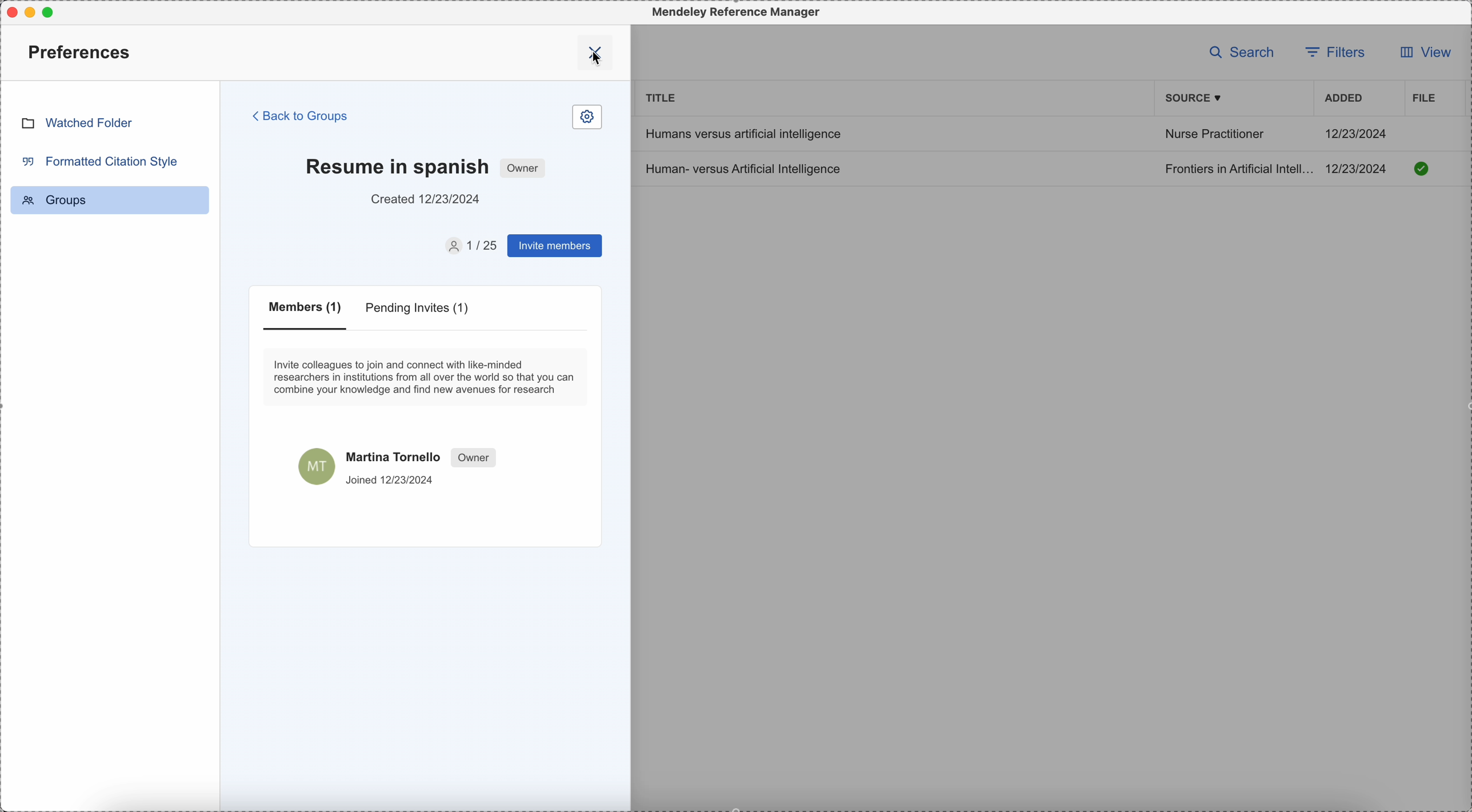  What do you see at coordinates (1237, 168) in the screenshot?
I see `Frontiers in Artificial Intell..` at bounding box center [1237, 168].